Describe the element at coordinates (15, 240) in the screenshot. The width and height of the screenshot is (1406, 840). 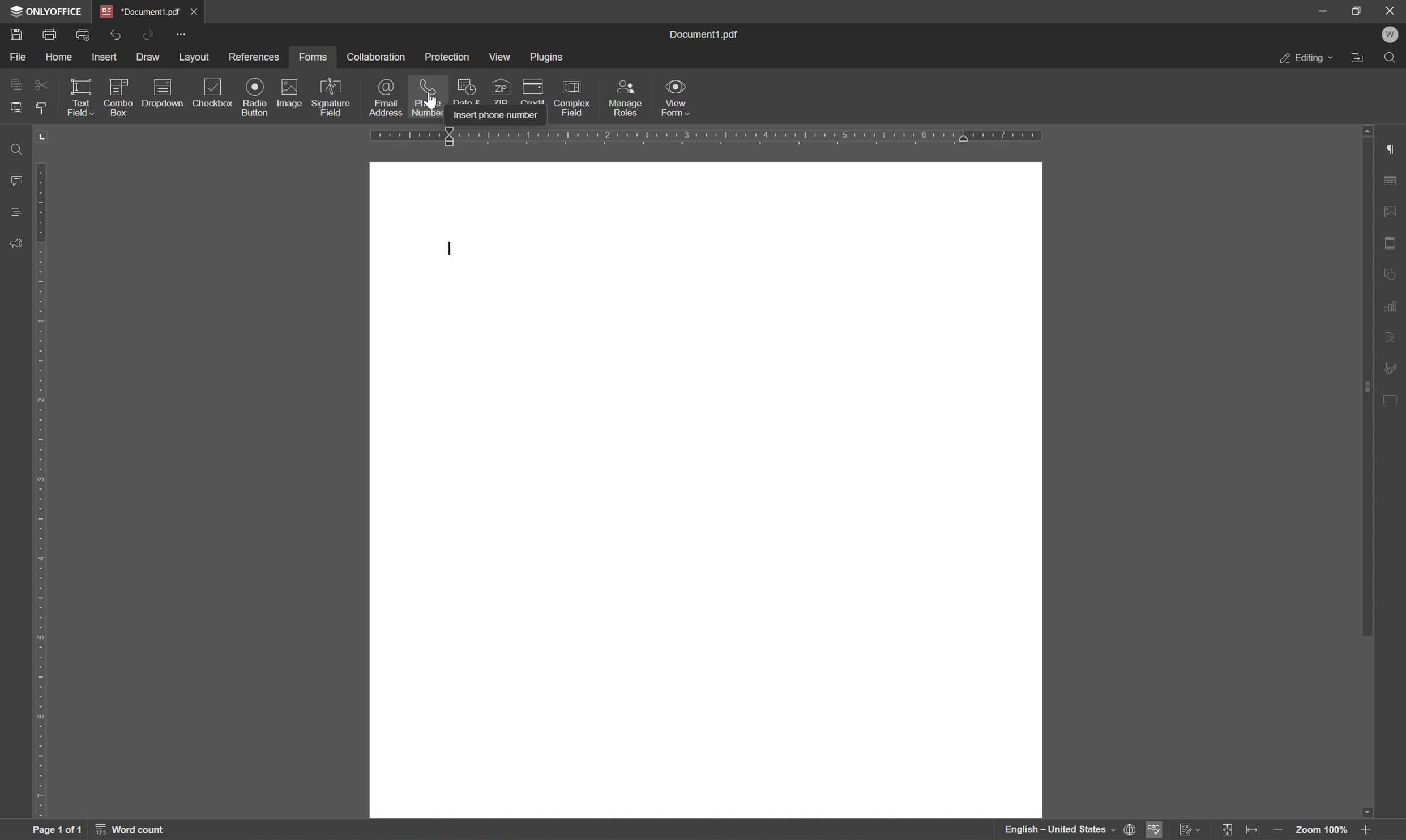
I see `feedback and support` at that location.